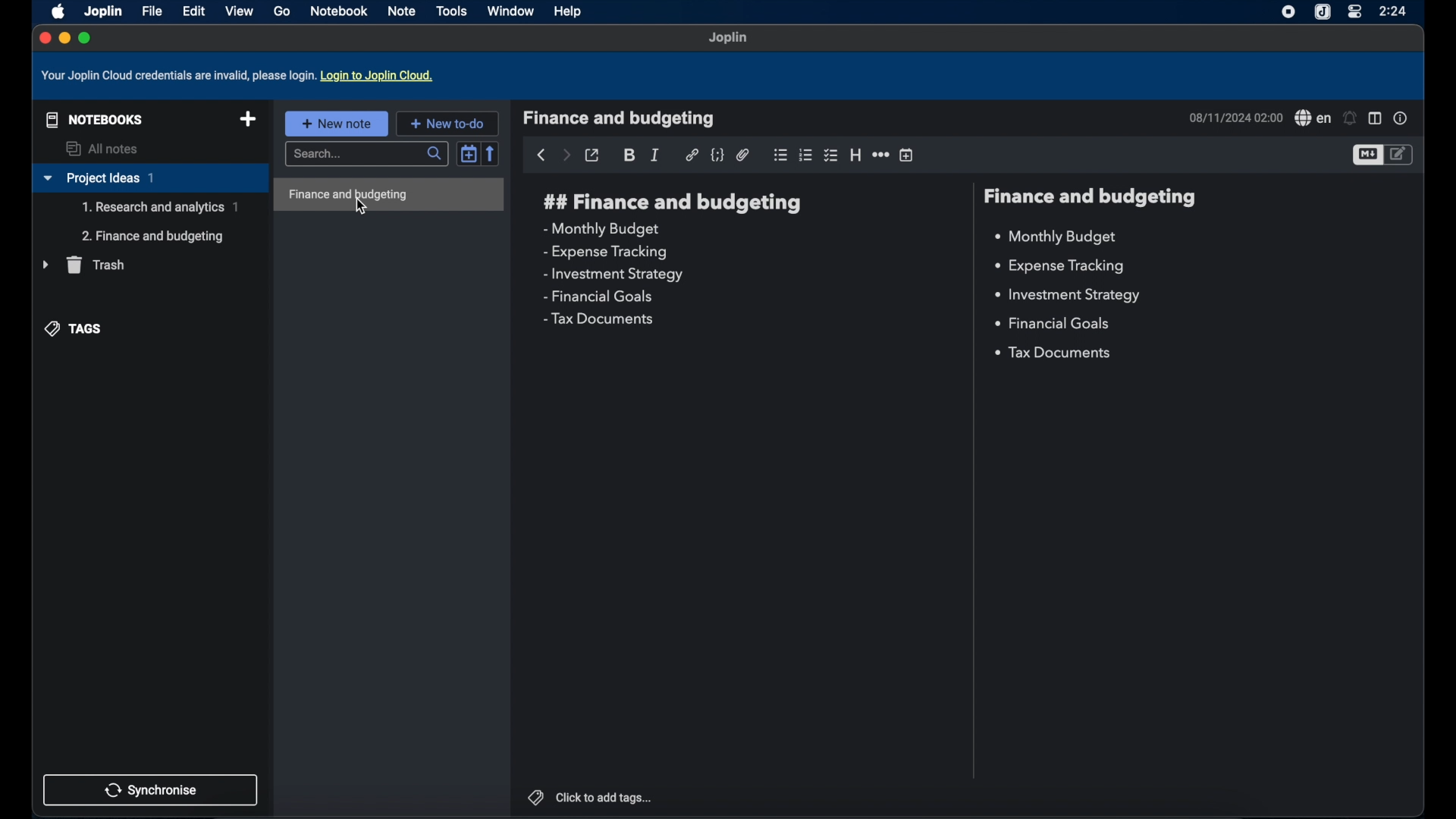  Describe the element at coordinates (1351, 118) in the screenshot. I see `set alarm` at that location.